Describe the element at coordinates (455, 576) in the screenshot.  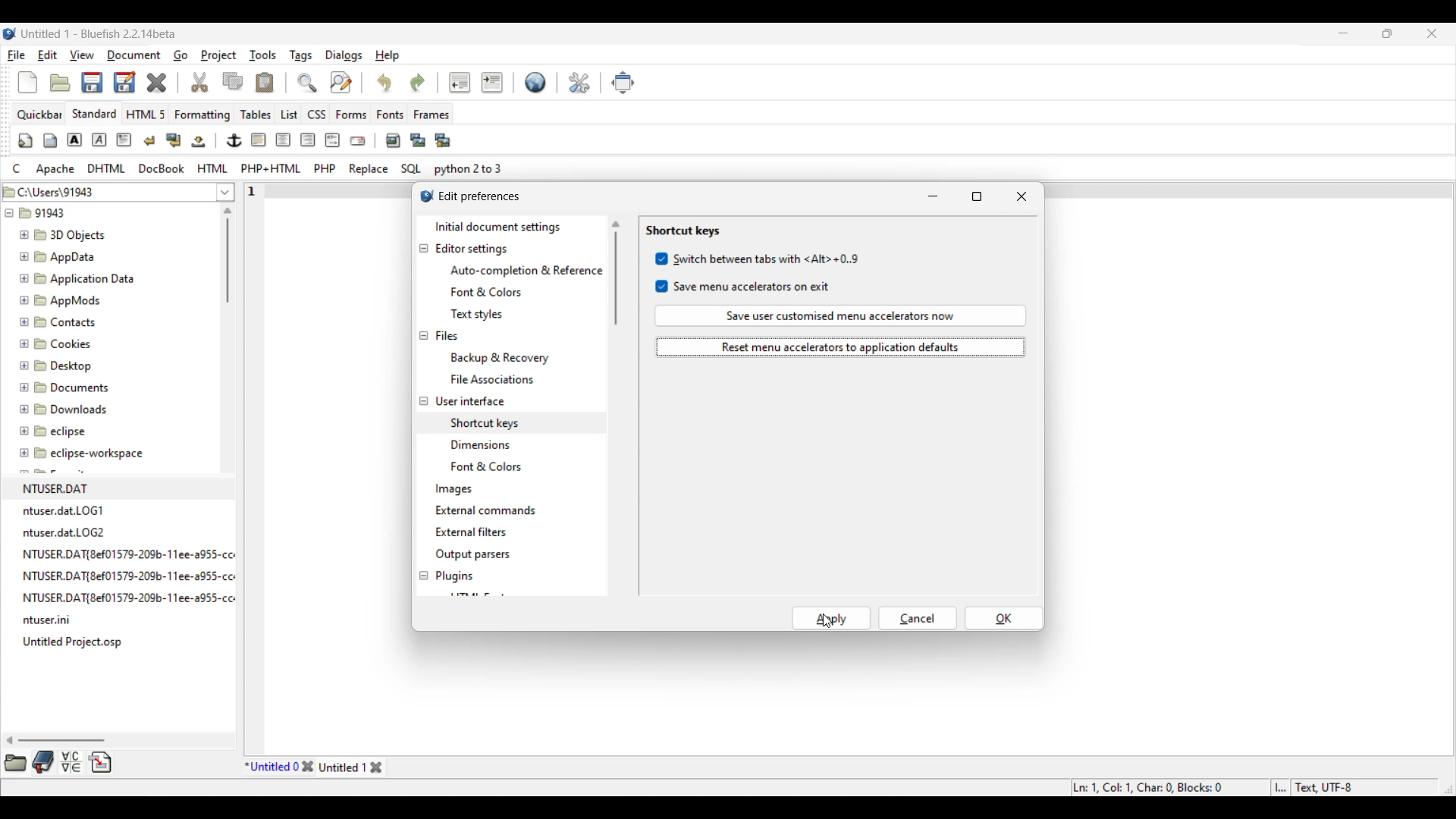
I see `Plugins` at that location.